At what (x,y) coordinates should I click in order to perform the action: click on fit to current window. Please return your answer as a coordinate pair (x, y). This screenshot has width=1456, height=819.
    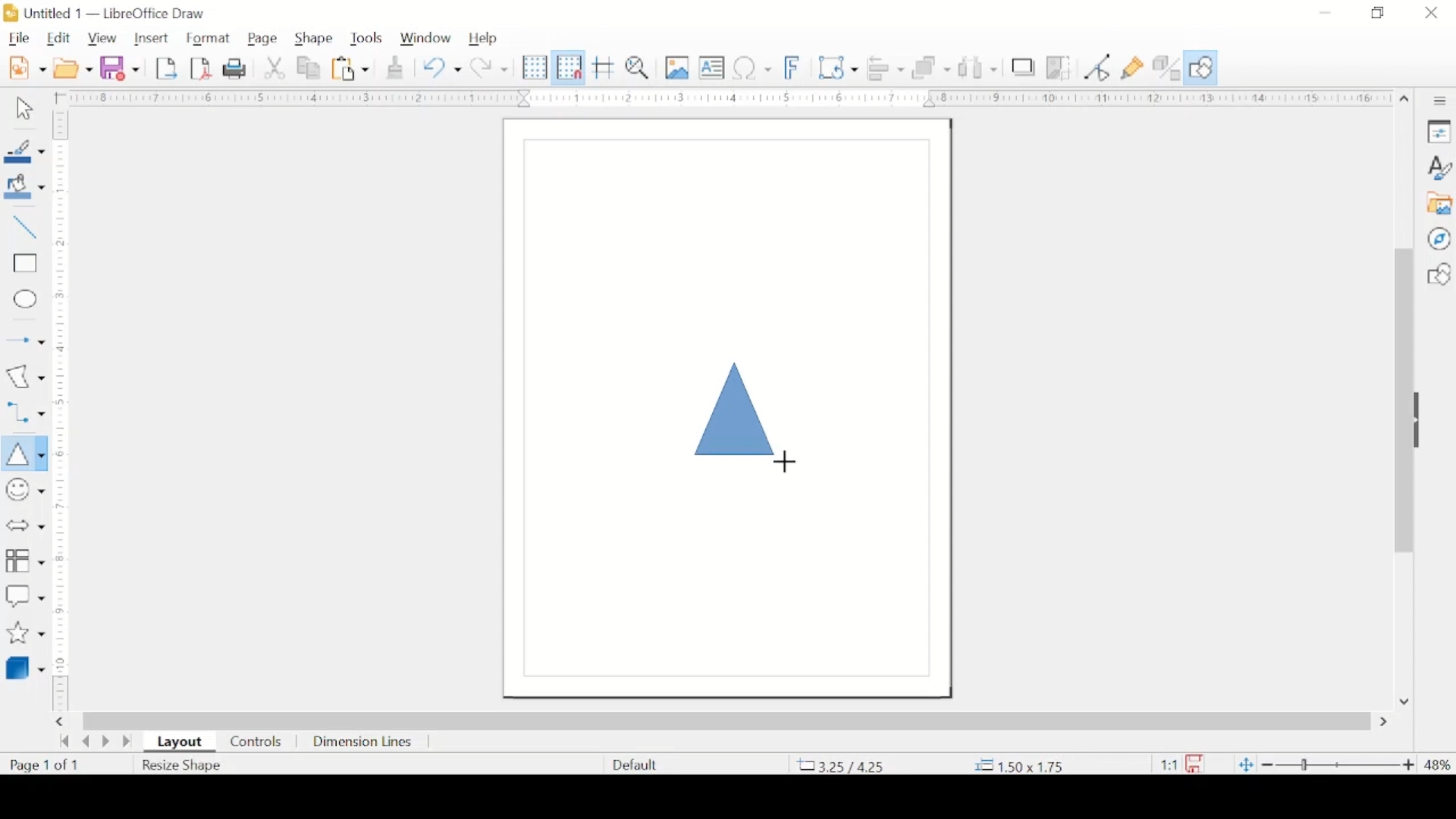
    Looking at the image, I should click on (1244, 766).